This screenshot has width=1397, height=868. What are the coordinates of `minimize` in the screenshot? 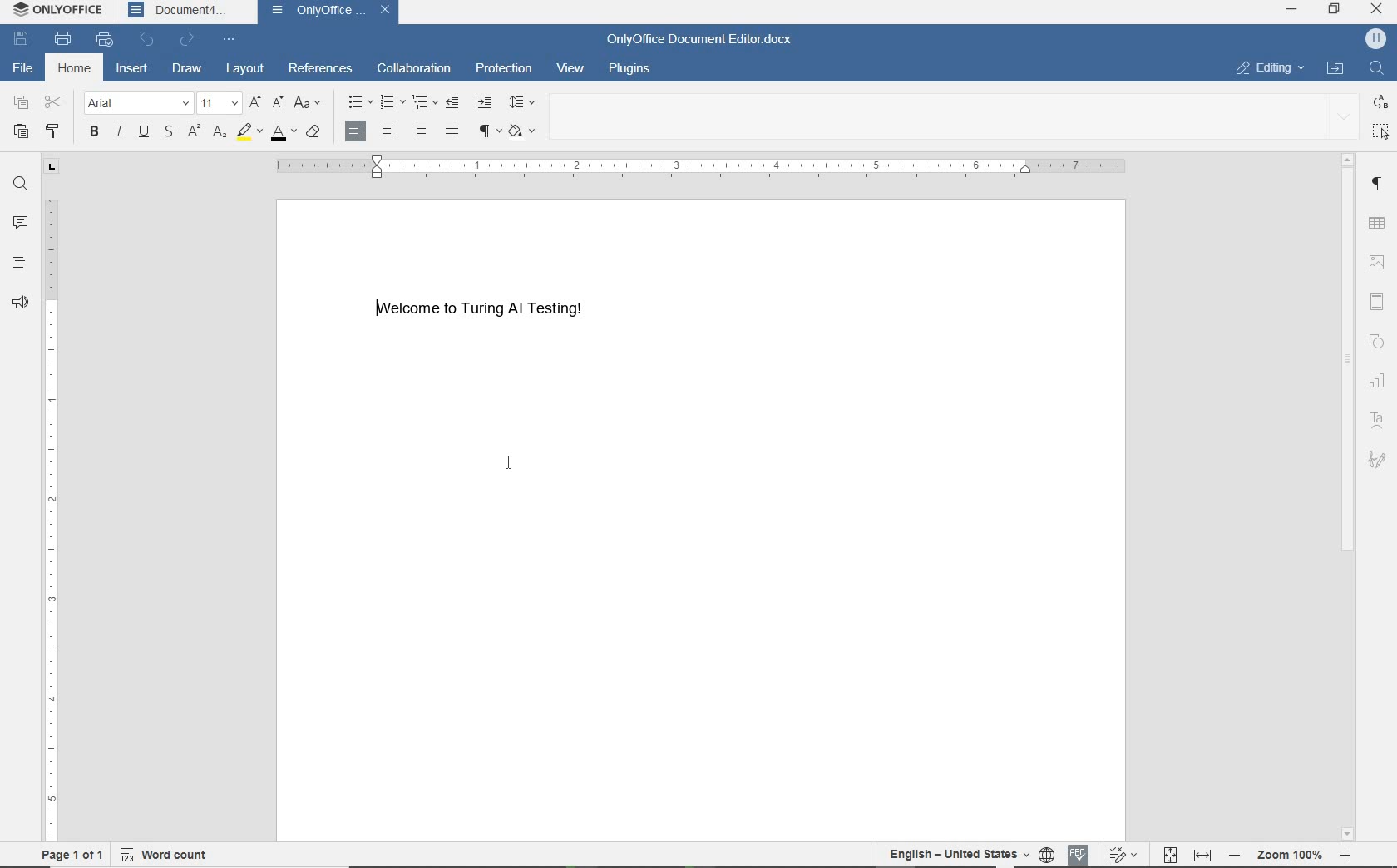 It's located at (1291, 8).